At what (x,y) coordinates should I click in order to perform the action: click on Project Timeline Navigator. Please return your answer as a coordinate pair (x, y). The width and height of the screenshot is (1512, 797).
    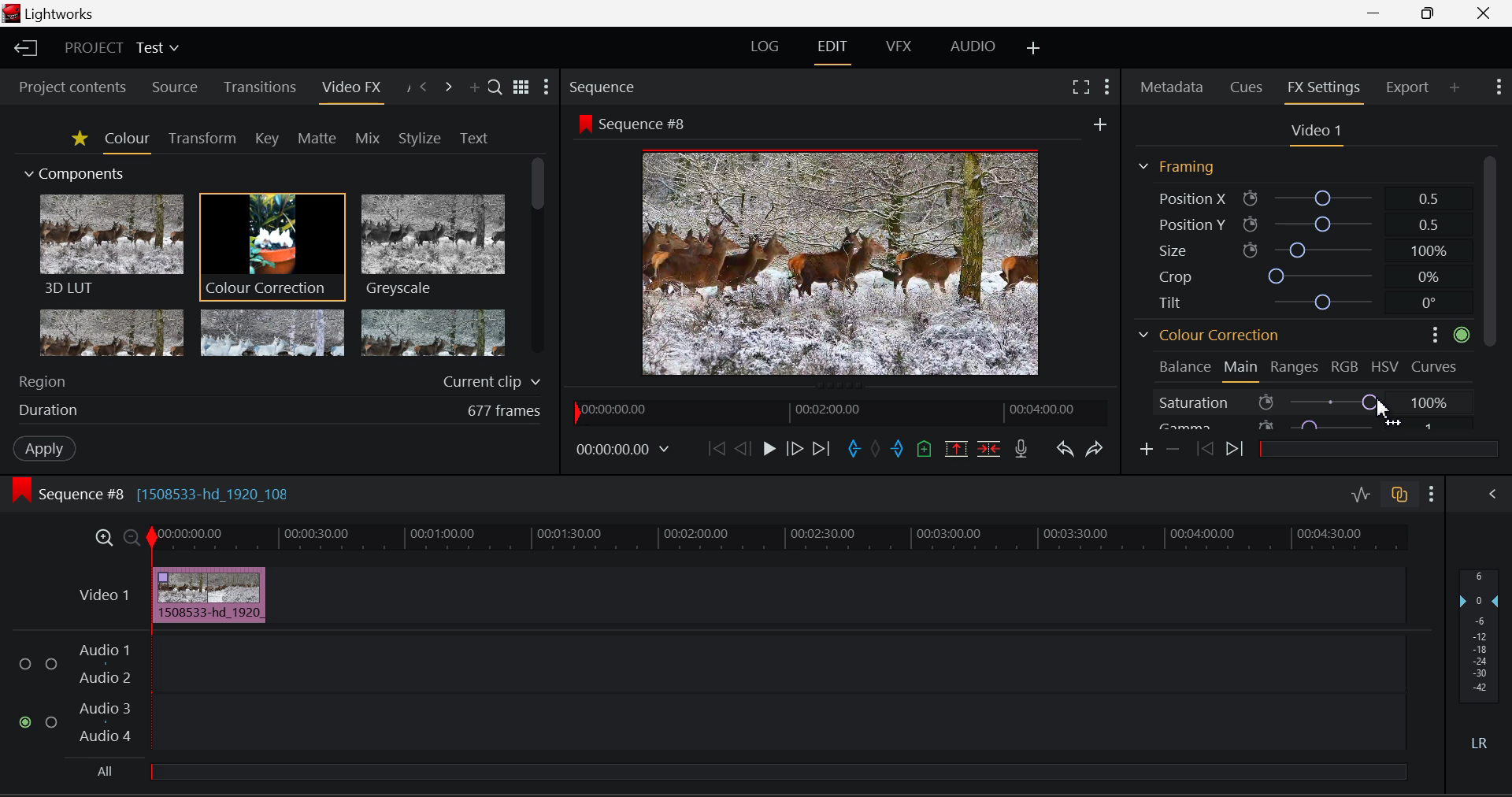
    Looking at the image, I should click on (841, 410).